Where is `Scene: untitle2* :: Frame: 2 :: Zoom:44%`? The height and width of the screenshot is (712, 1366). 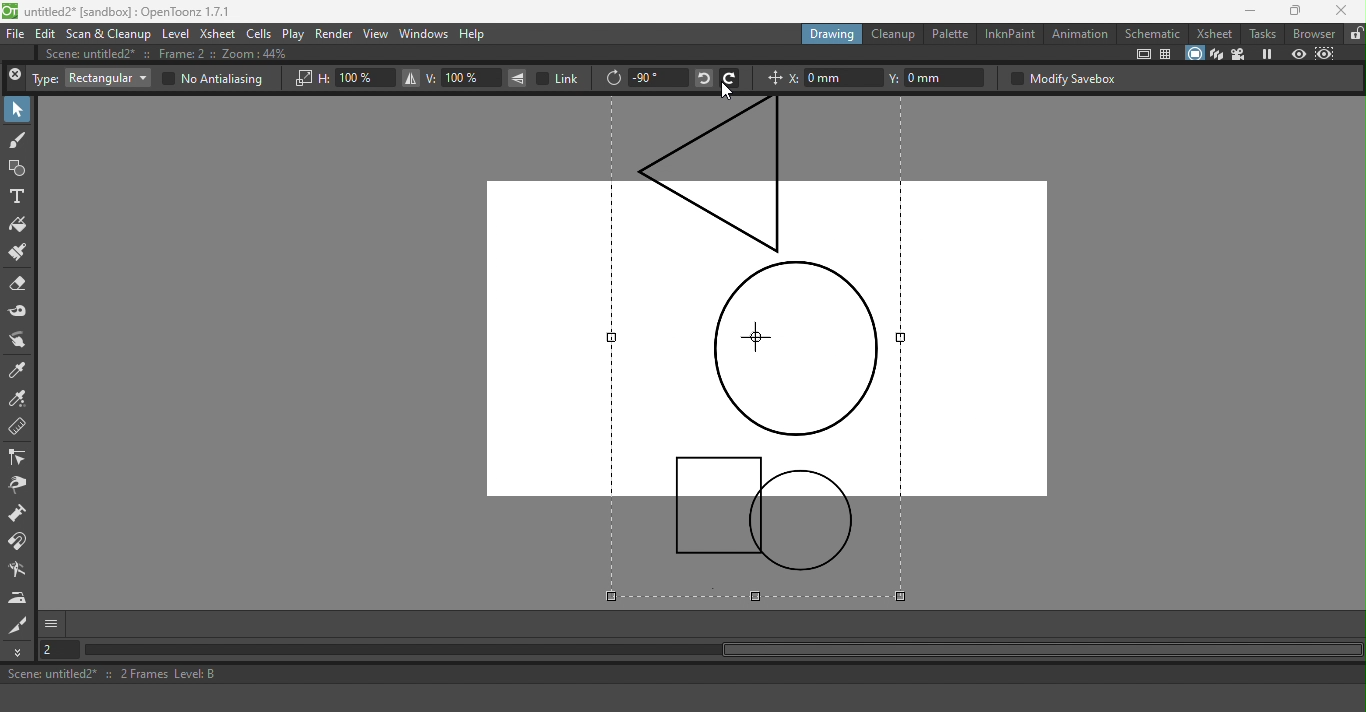
Scene: untitle2* :: Frame: 2 :: Zoom:44% is located at coordinates (177, 55).